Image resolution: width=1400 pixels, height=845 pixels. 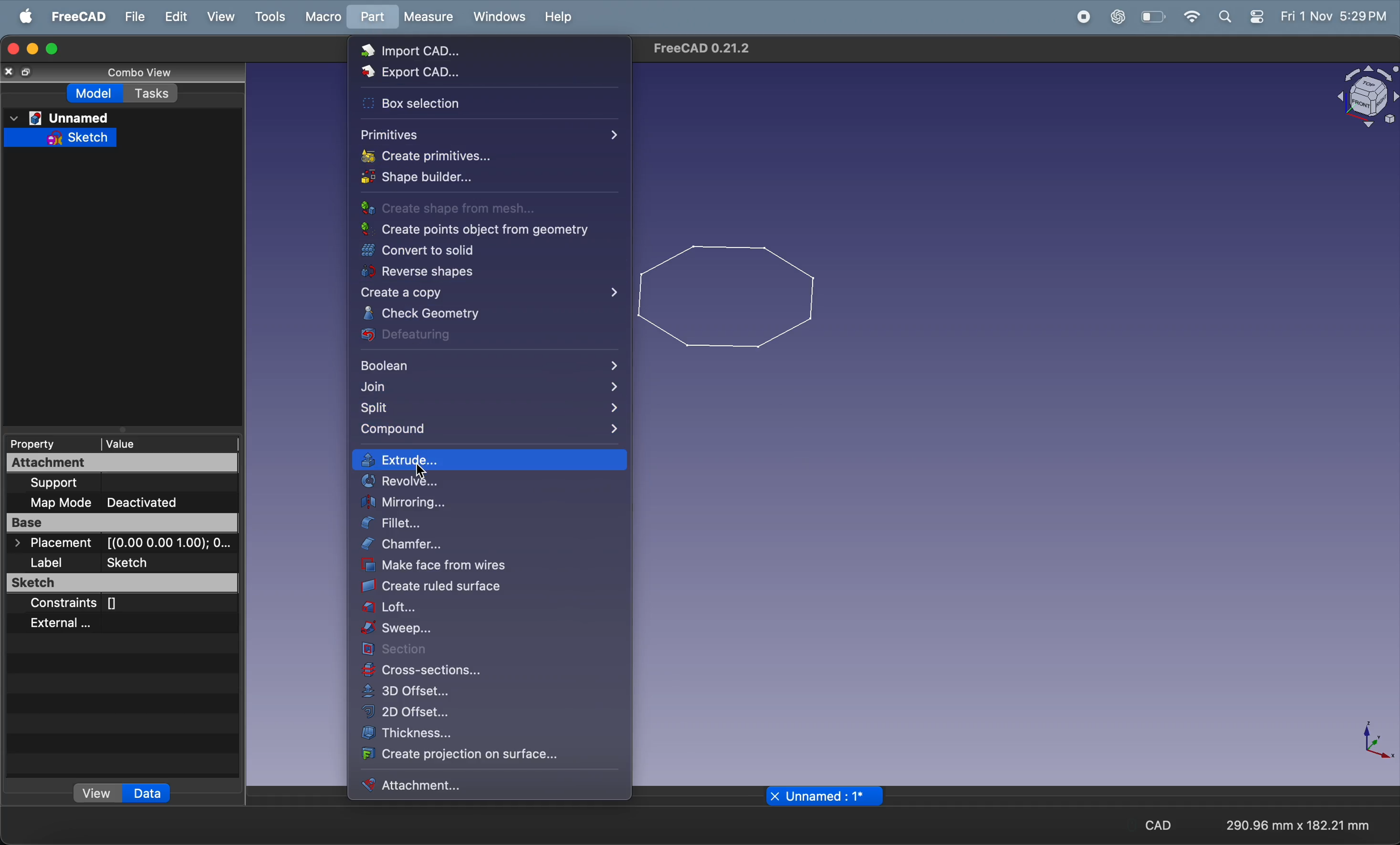 I want to click on sketch, so click(x=61, y=137).